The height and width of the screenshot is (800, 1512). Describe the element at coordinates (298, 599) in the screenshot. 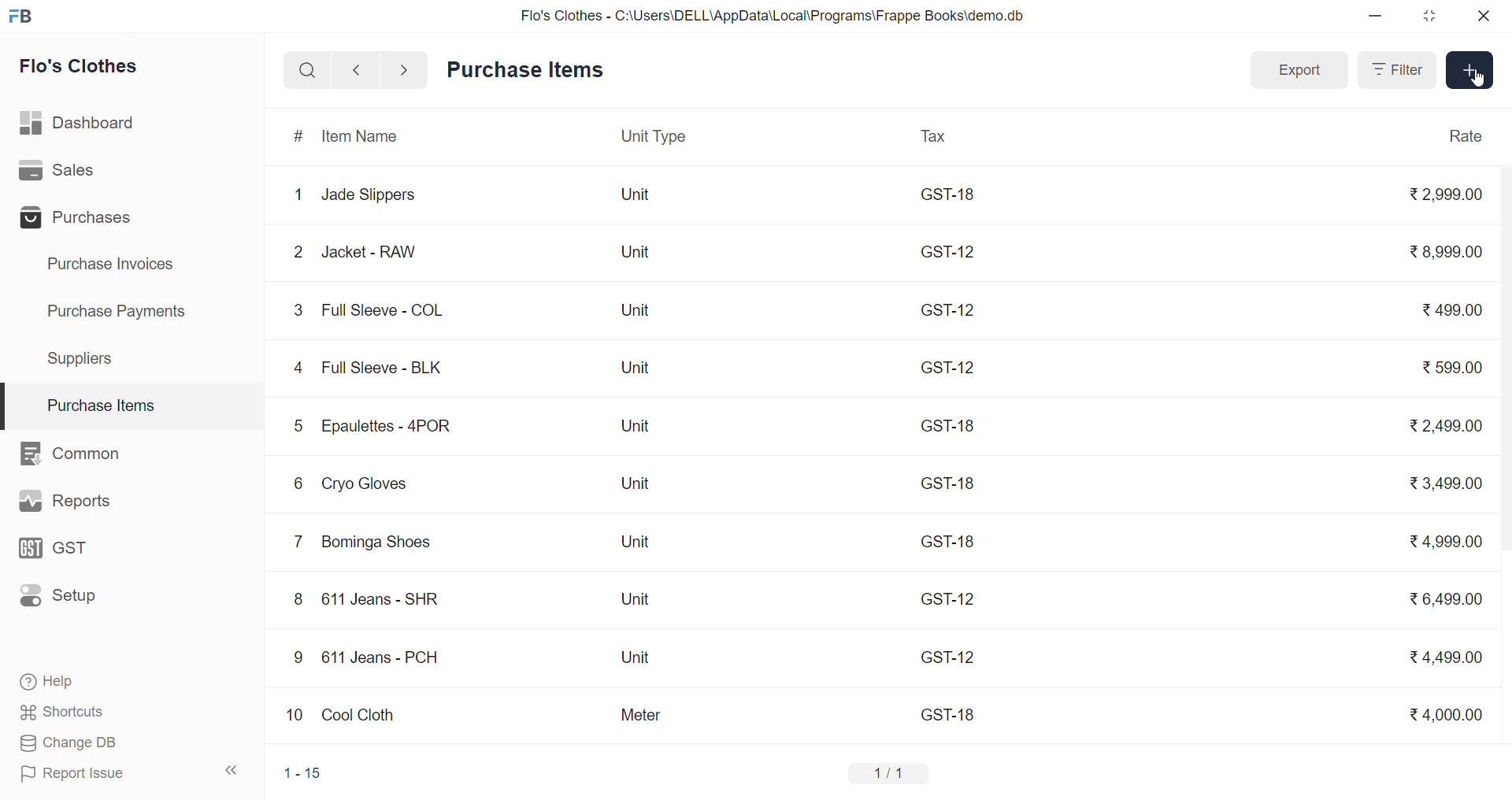

I see `8` at that location.